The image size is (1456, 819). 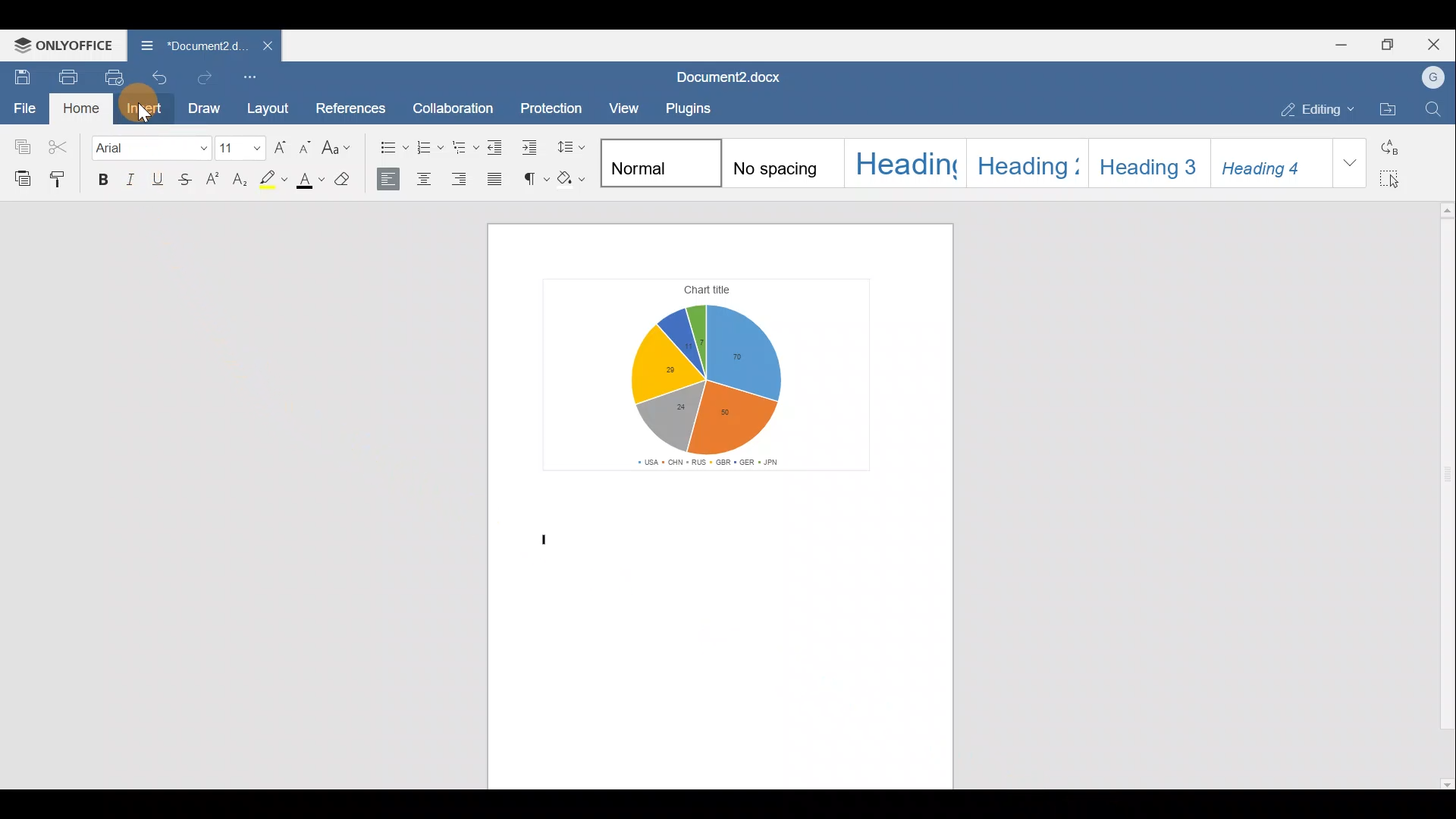 I want to click on Superscript, so click(x=215, y=180).